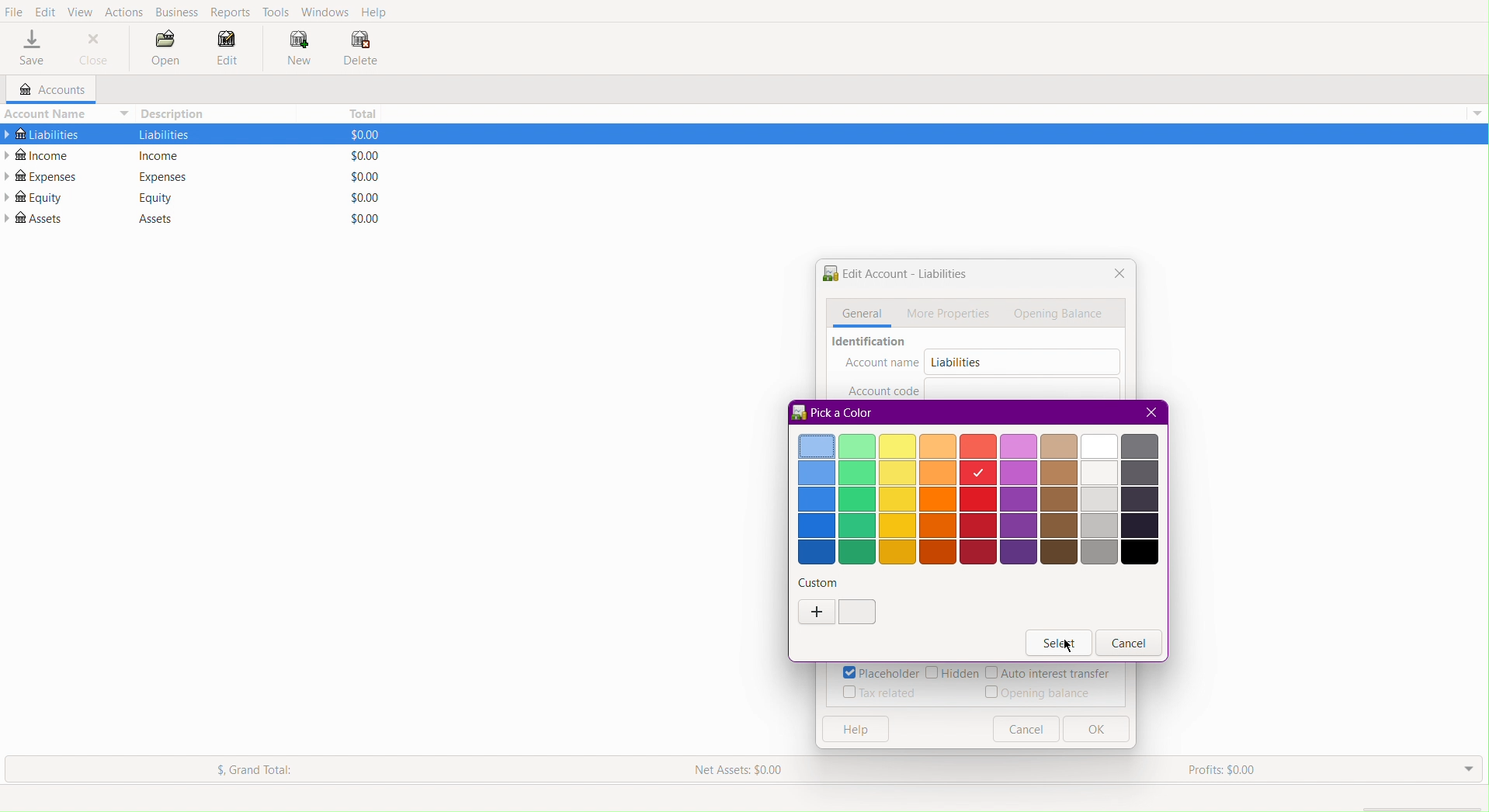 The width and height of the screenshot is (1489, 812). What do you see at coordinates (871, 343) in the screenshot?
I see `identification` at bounding box center [871, 343].